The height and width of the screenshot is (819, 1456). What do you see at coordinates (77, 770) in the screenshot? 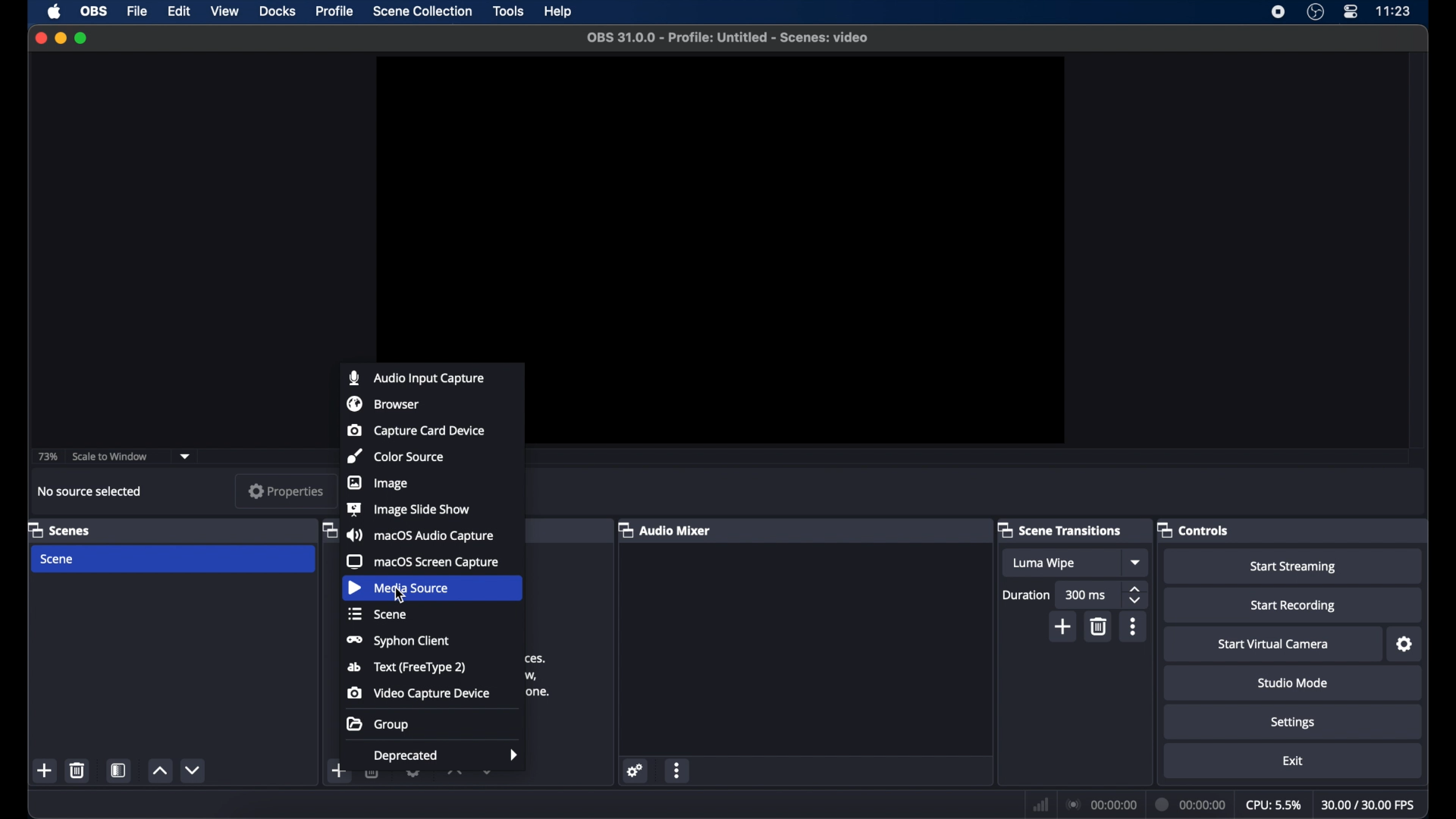
I see `delete` at bounding box center [77, 770].